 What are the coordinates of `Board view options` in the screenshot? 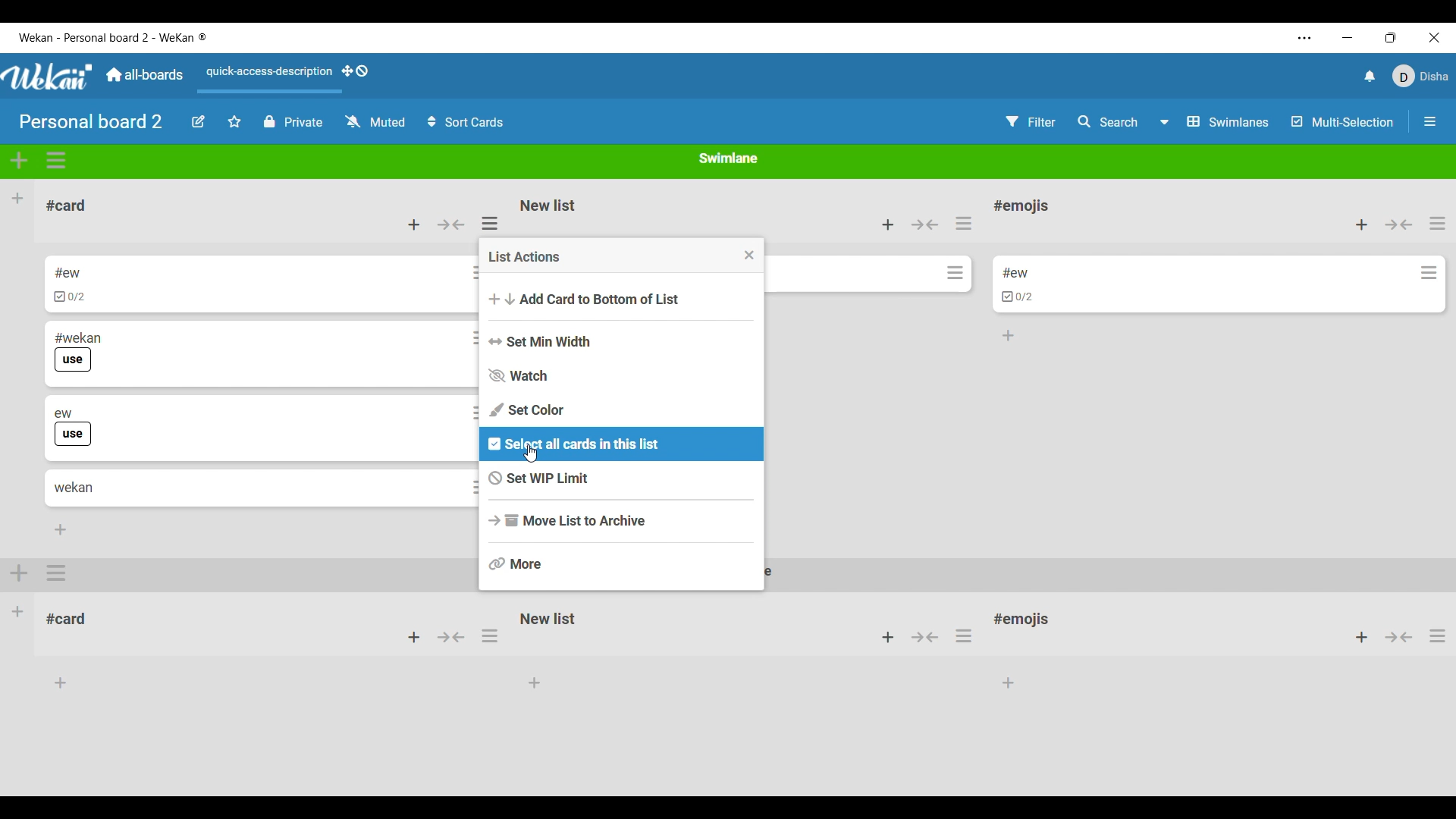 It's located at (1216, 121).